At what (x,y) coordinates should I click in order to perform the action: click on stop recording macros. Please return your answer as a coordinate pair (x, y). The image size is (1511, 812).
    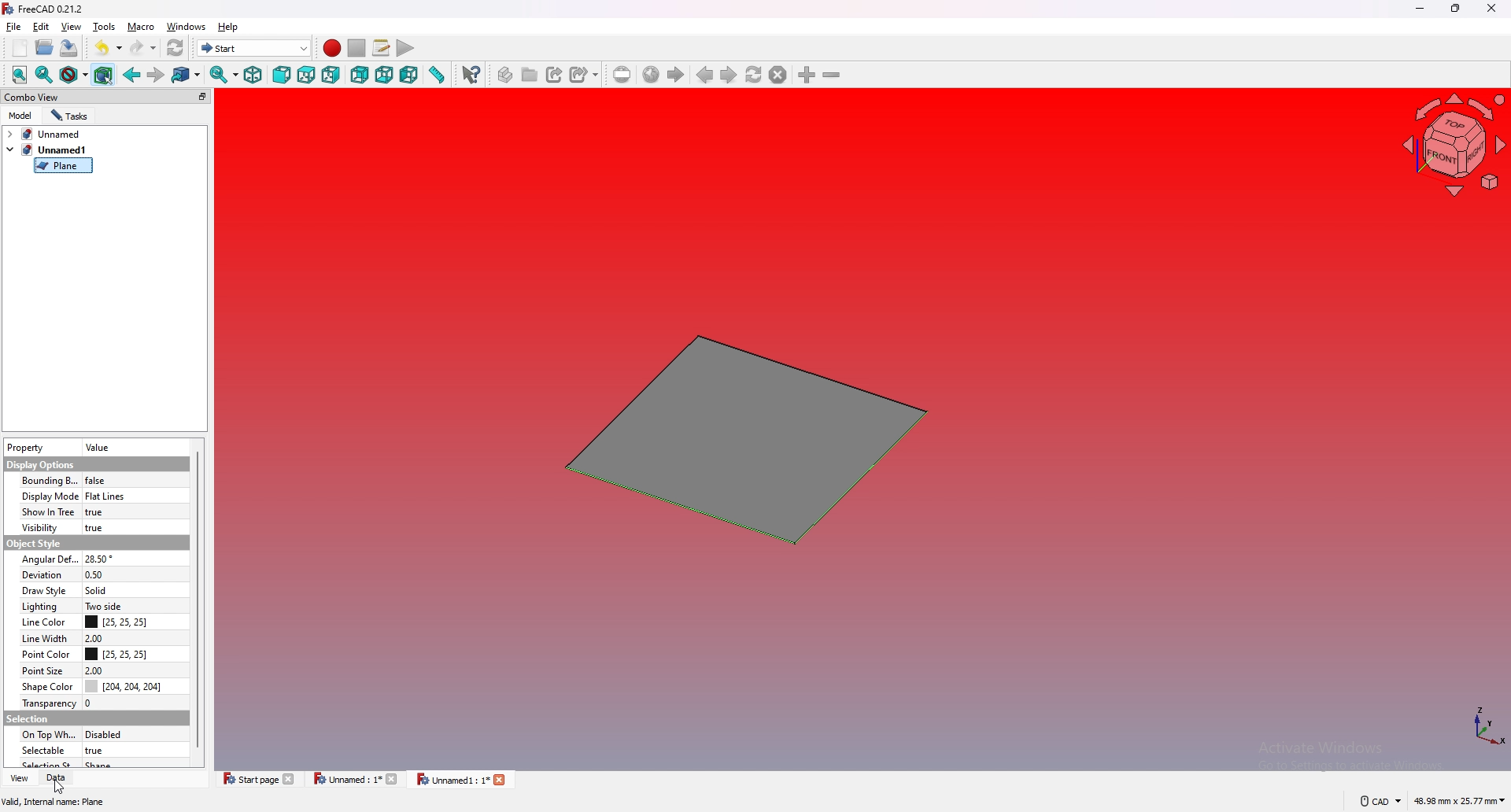
    Looking at the image, I should click on (357, 48).